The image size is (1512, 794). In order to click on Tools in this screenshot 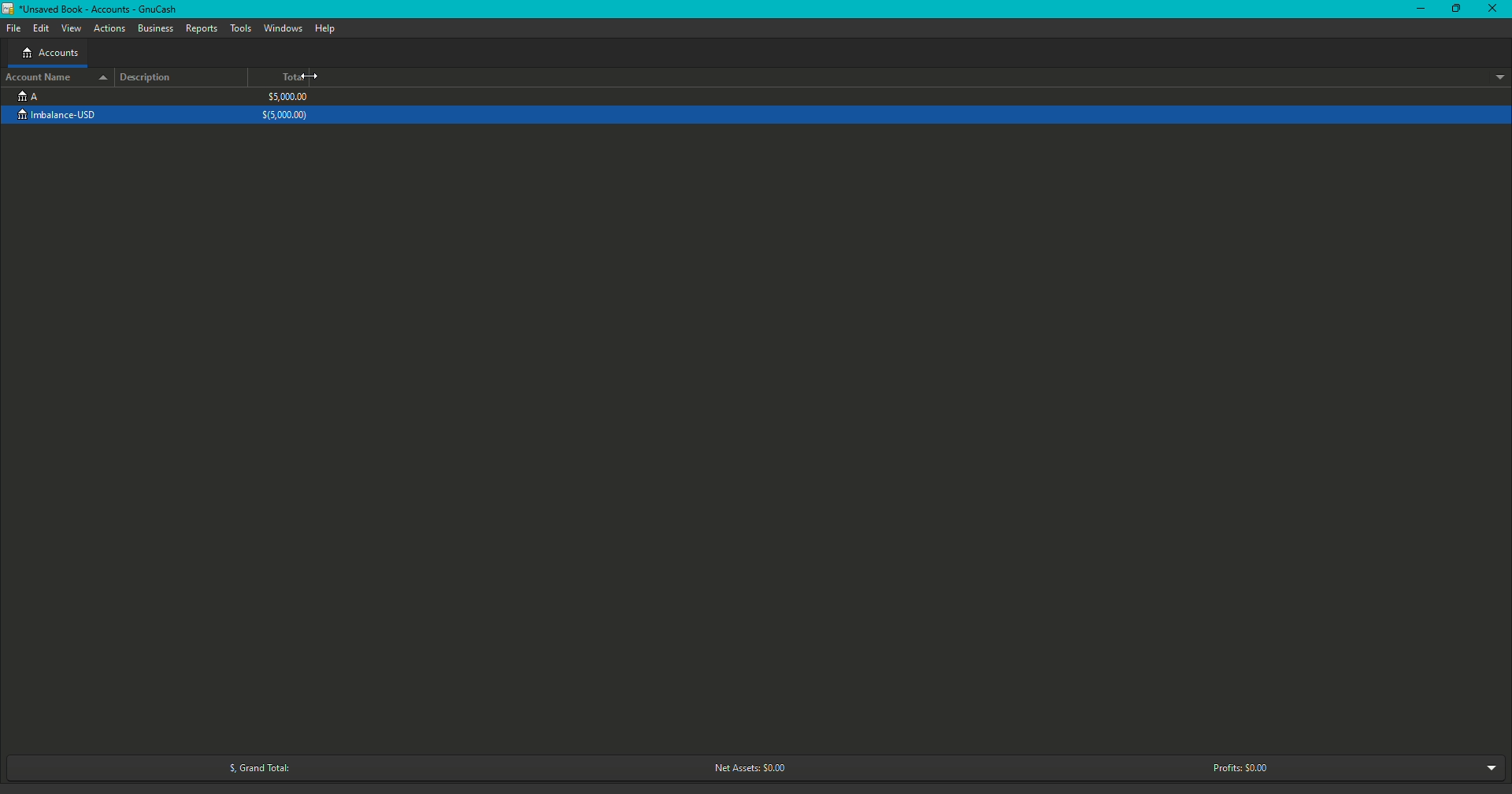, I will do `click(243, 28)`.